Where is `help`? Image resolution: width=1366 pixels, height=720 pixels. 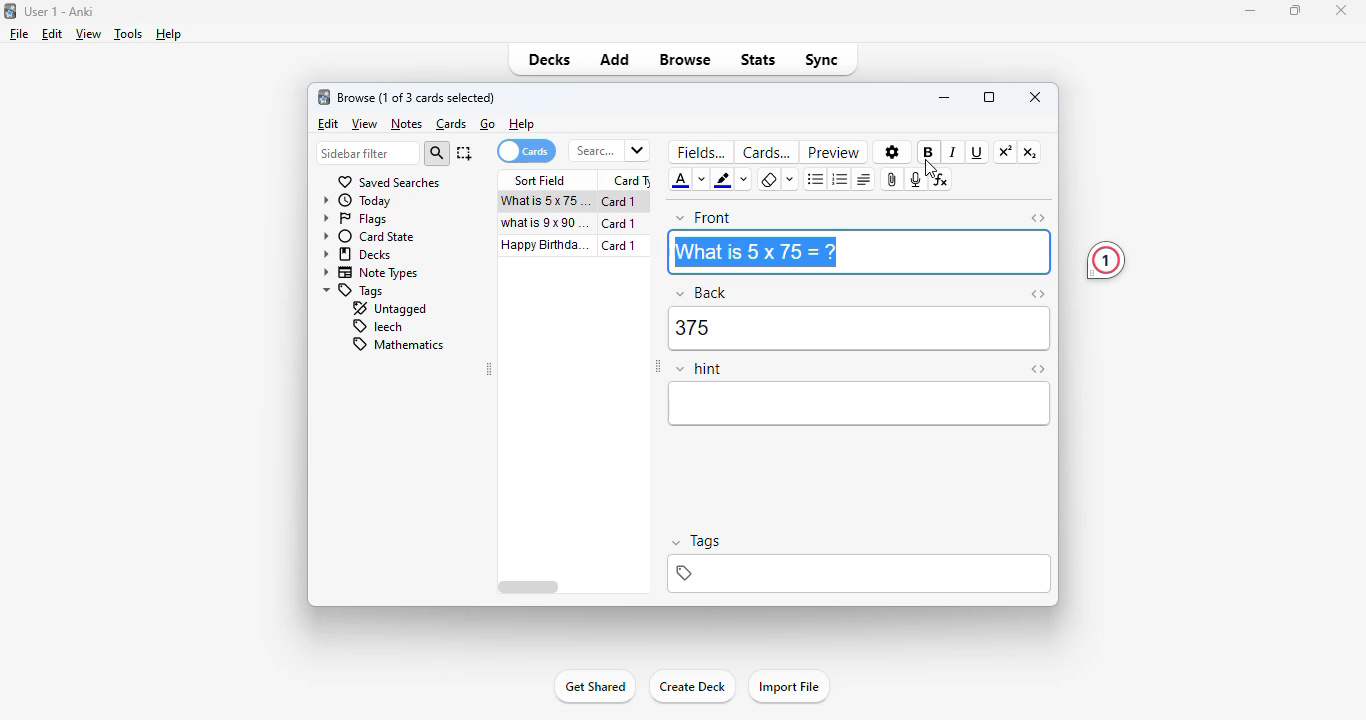 help is located at coordinates (522, 124).